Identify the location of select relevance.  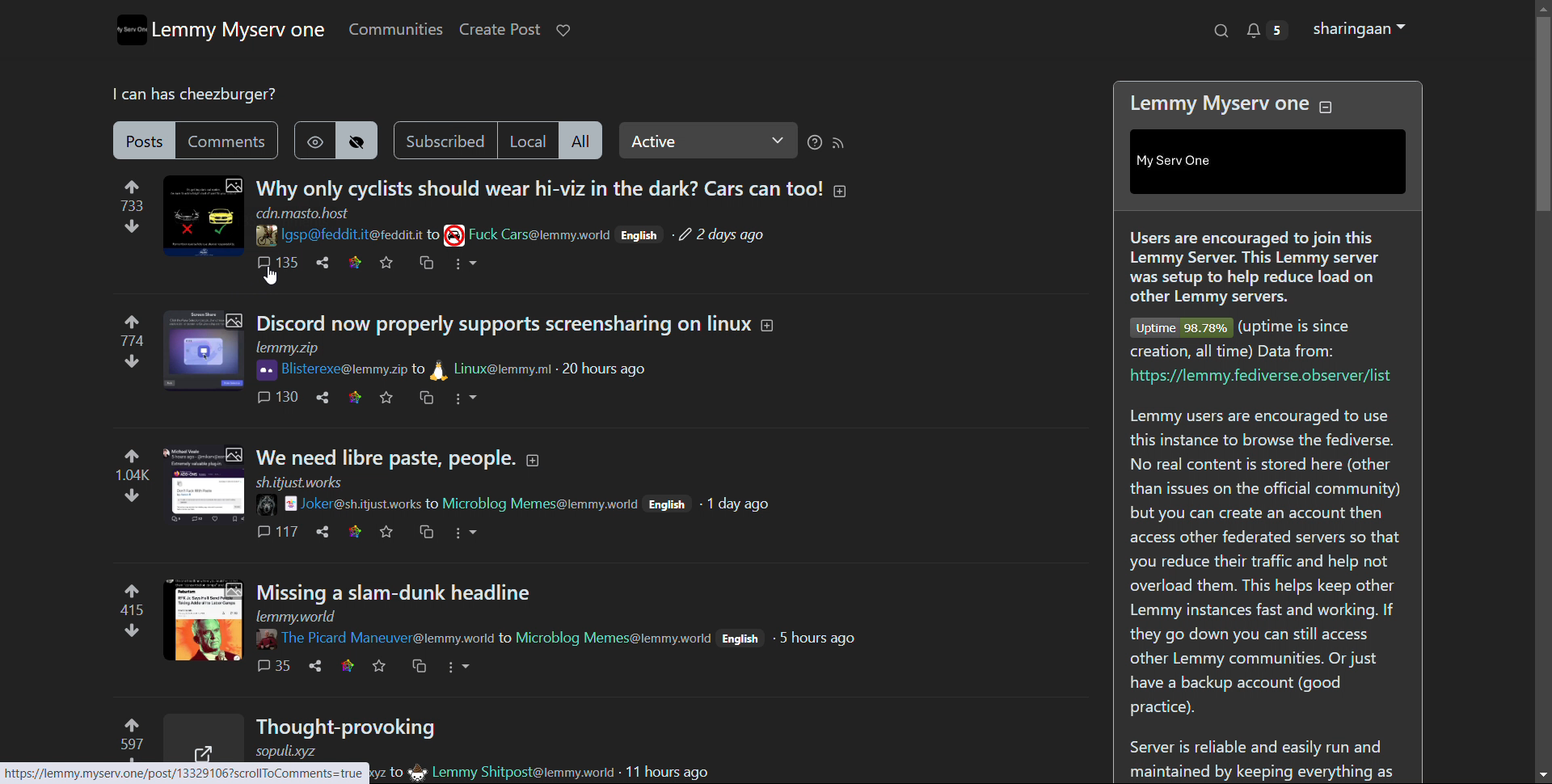
(707, 141).